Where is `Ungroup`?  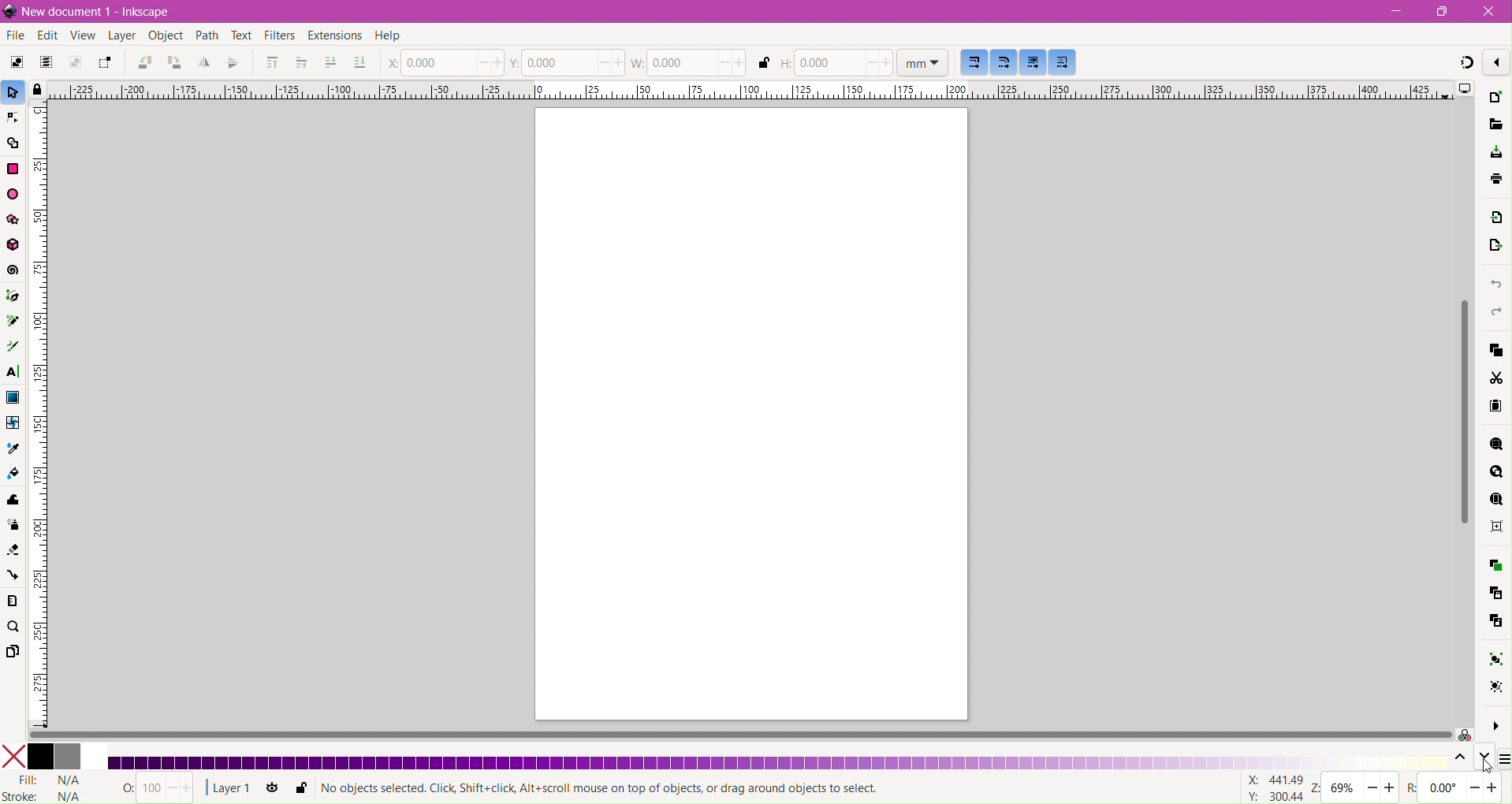
Ungroup is located at coordinates (1493, 687).